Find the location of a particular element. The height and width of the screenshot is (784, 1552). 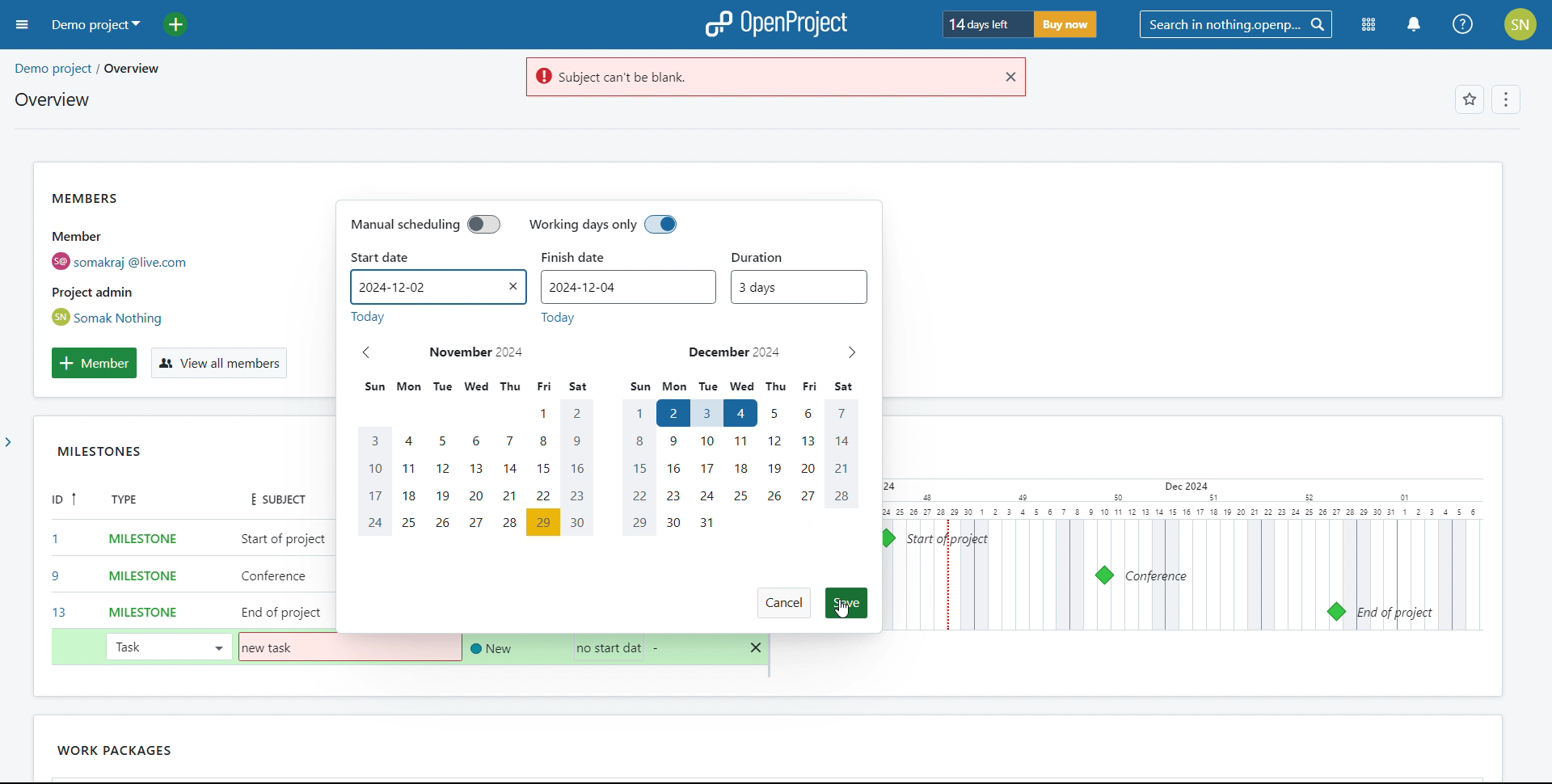

delete is located at coordinates (757, 648).